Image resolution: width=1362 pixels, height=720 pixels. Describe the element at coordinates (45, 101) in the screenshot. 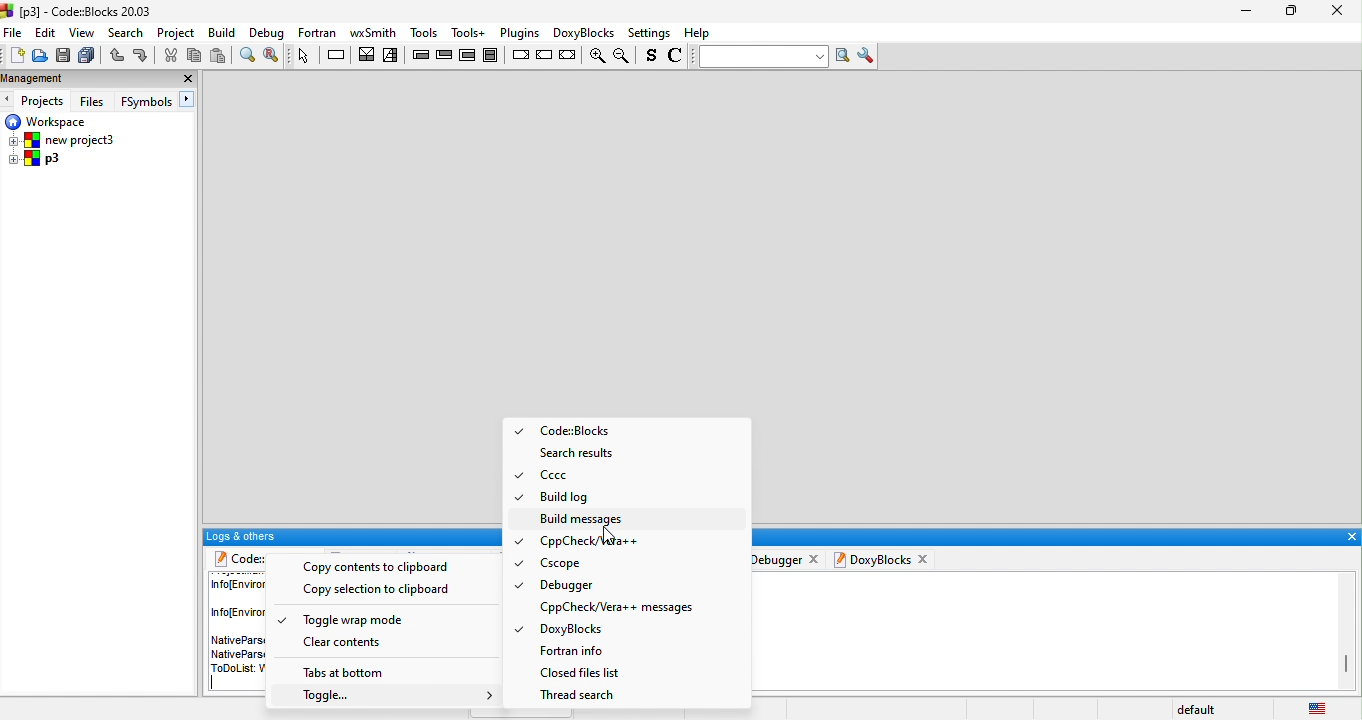

I see `projects` at that location.